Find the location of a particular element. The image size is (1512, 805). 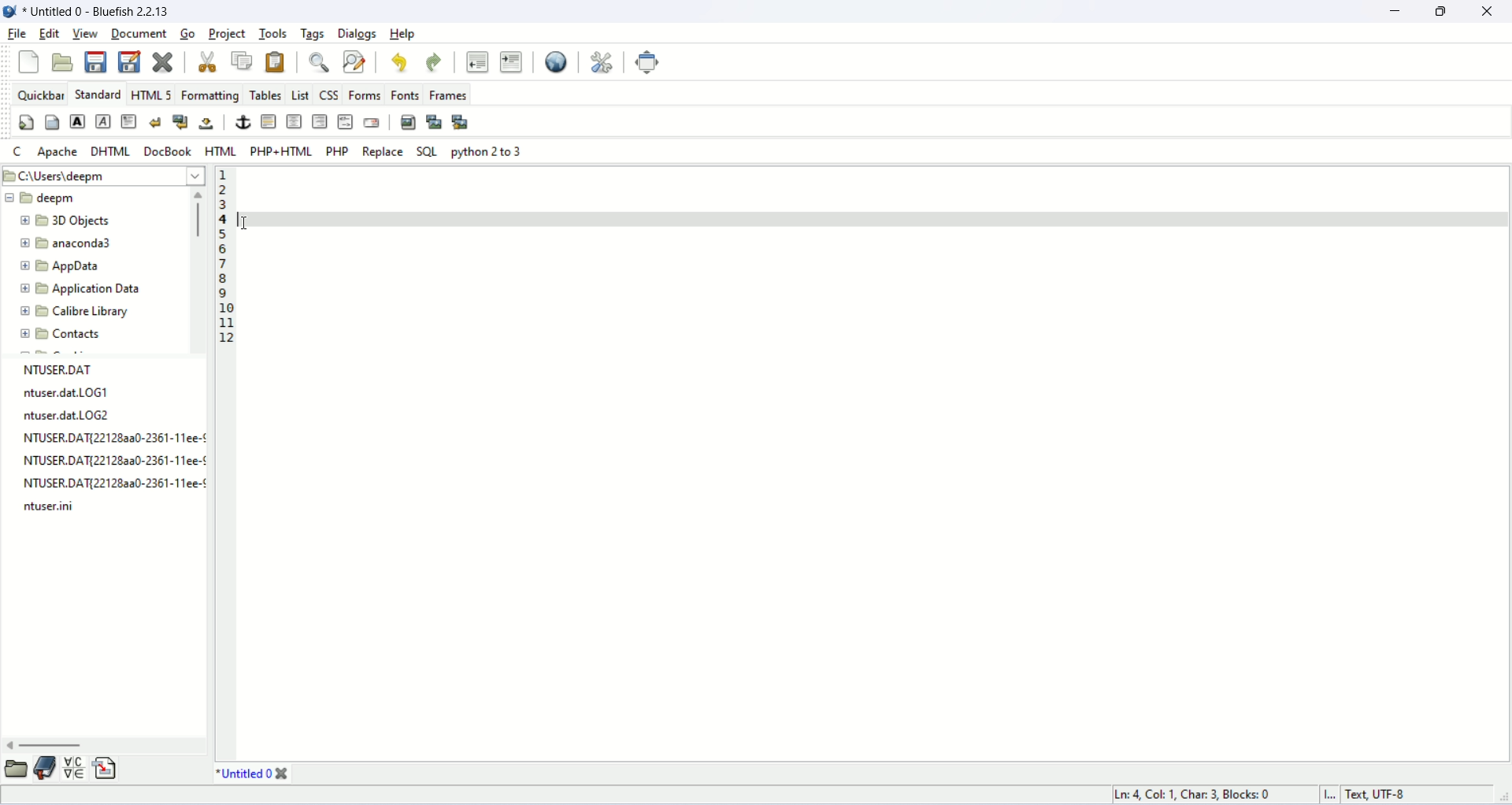

go is located at coordinates (187, 35).